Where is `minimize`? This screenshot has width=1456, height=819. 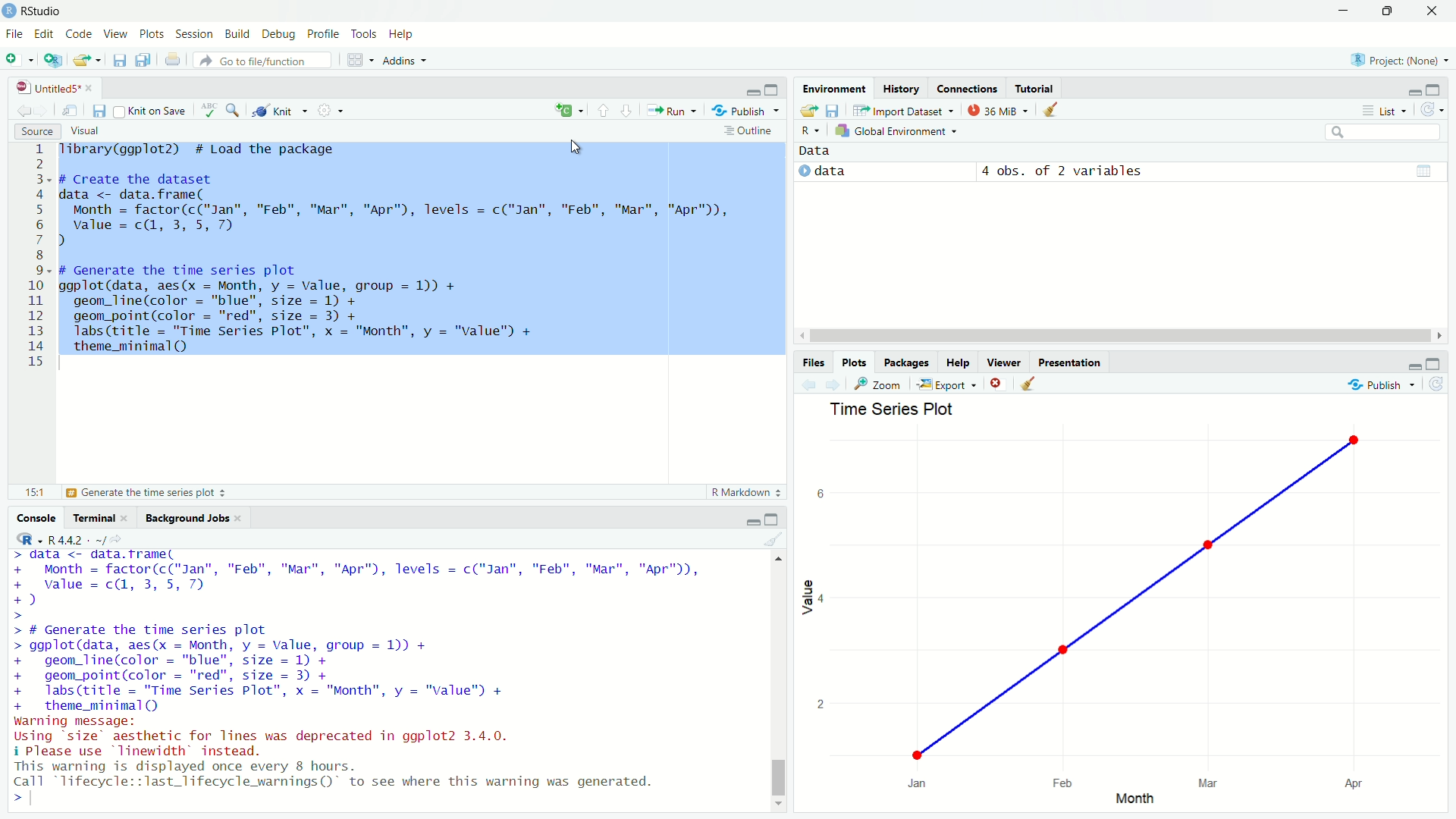
minimize is located at coordinates (1408, 362).